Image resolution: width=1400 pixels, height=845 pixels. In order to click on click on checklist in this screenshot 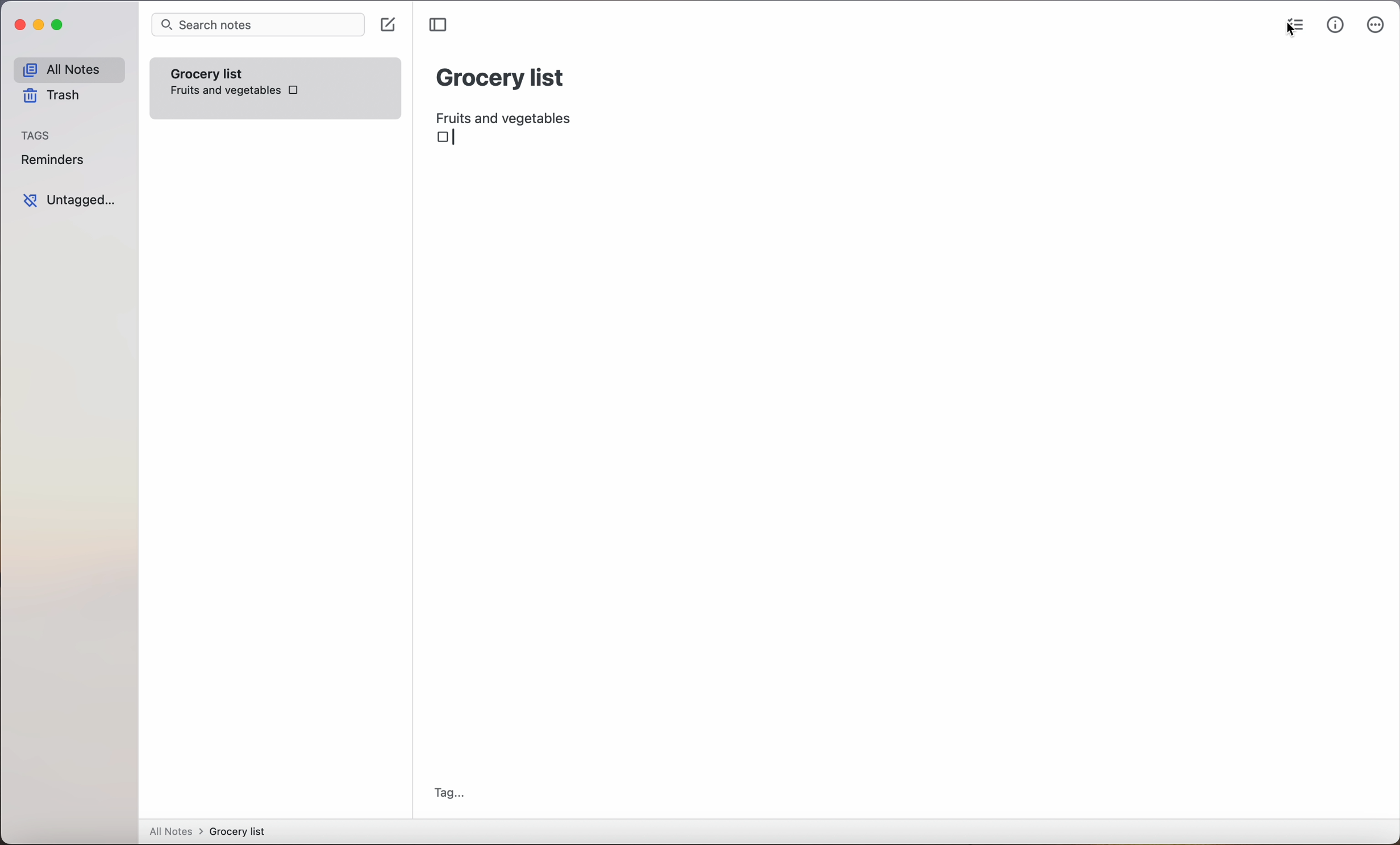, I will do `click(1293, 27)`.